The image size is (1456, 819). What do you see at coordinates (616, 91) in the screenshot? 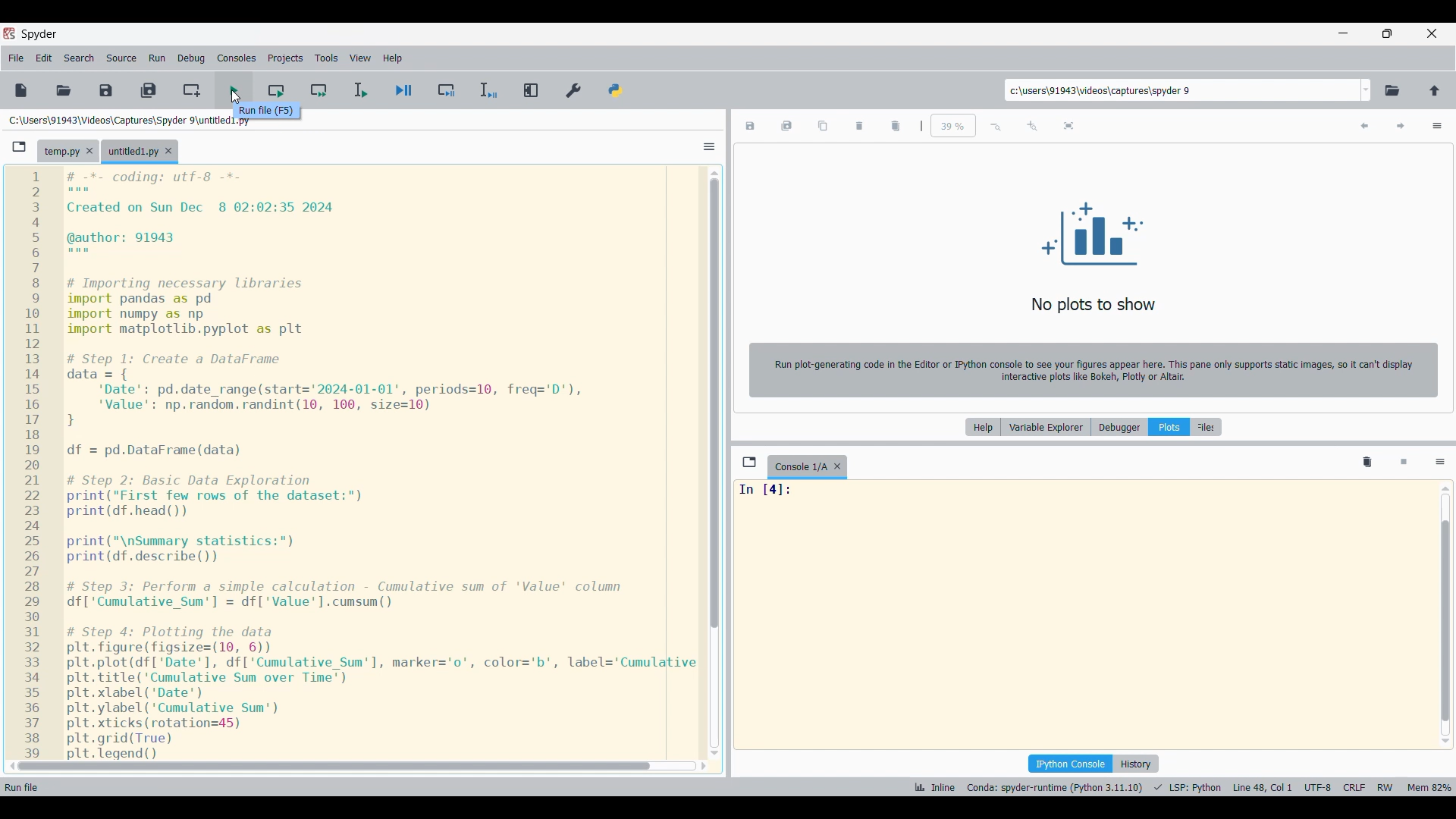
I see `PYTHONPATH manager` at bounding box center [616, 91].